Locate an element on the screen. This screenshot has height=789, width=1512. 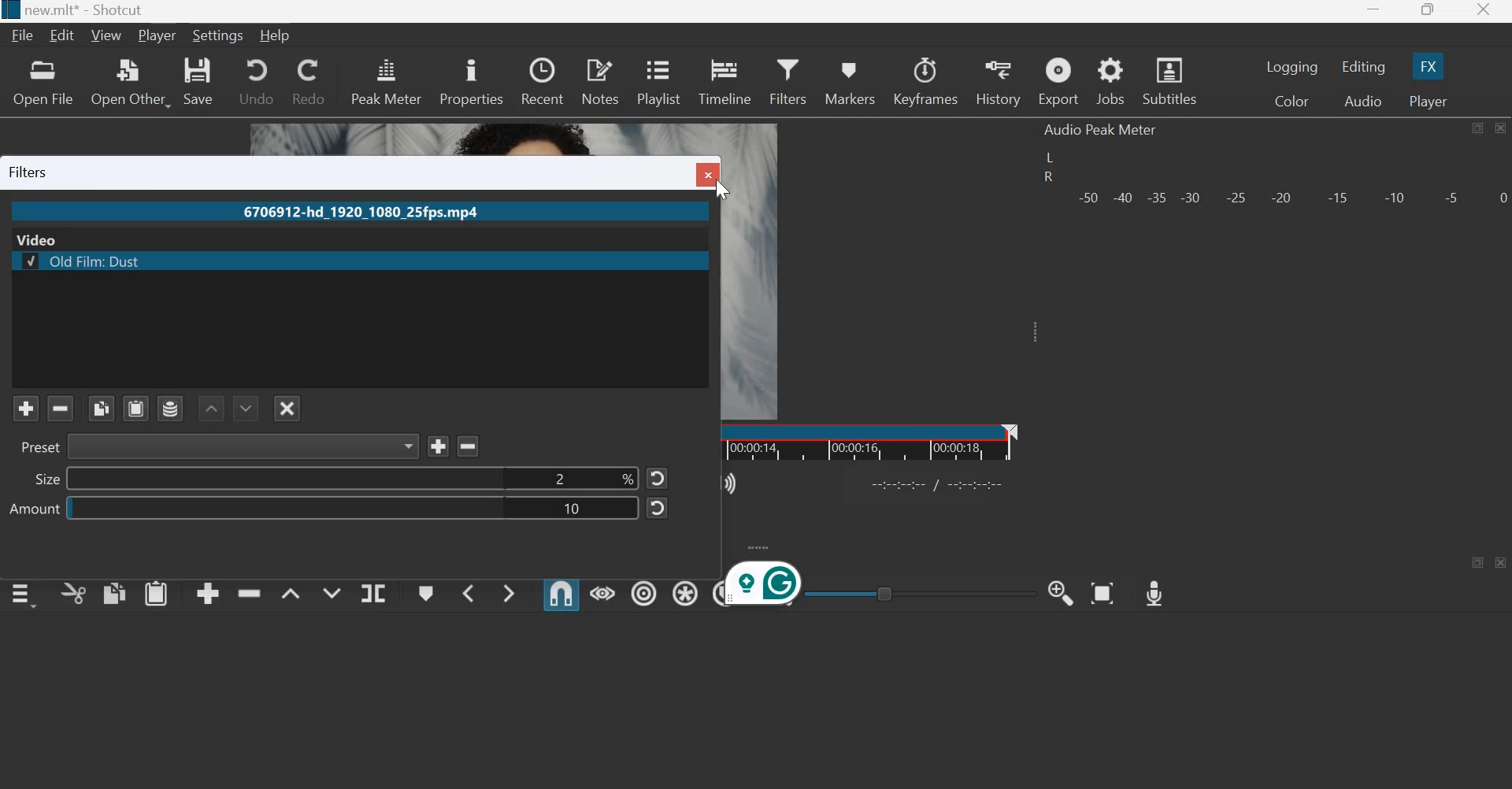
timeline is located at coordinates (726, 80).